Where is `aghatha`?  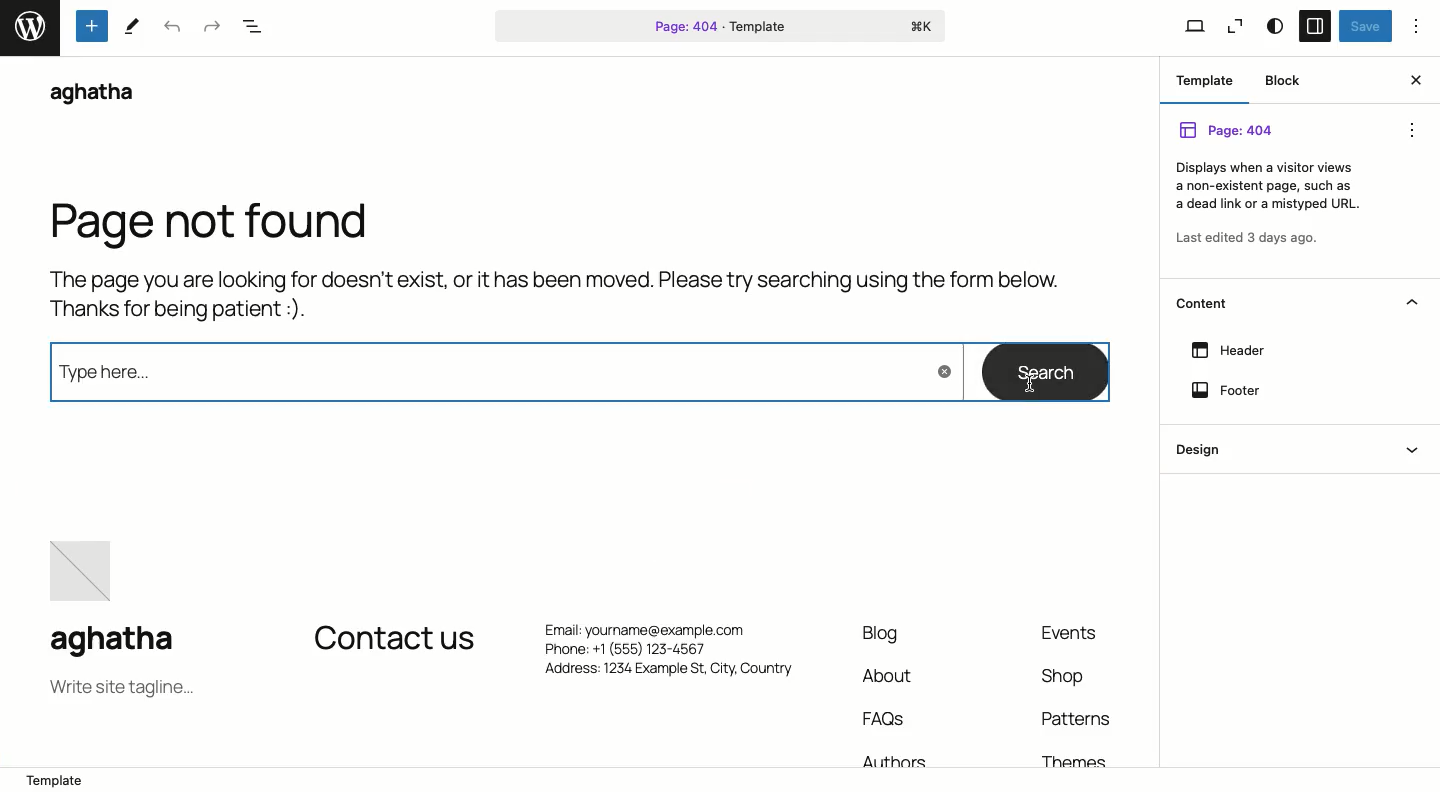 aghatha is located at coordinates (90, 93).